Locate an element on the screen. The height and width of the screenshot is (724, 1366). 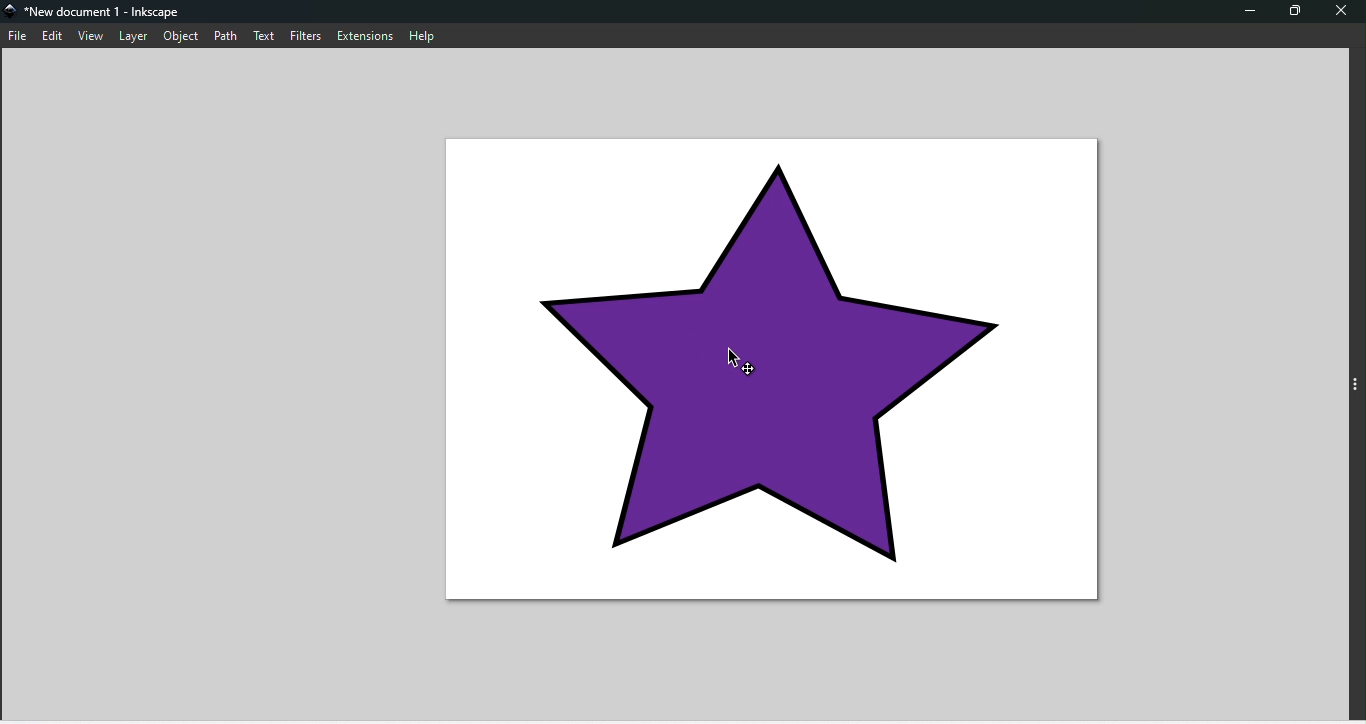
Extensions is located at coordinates (365, 38).